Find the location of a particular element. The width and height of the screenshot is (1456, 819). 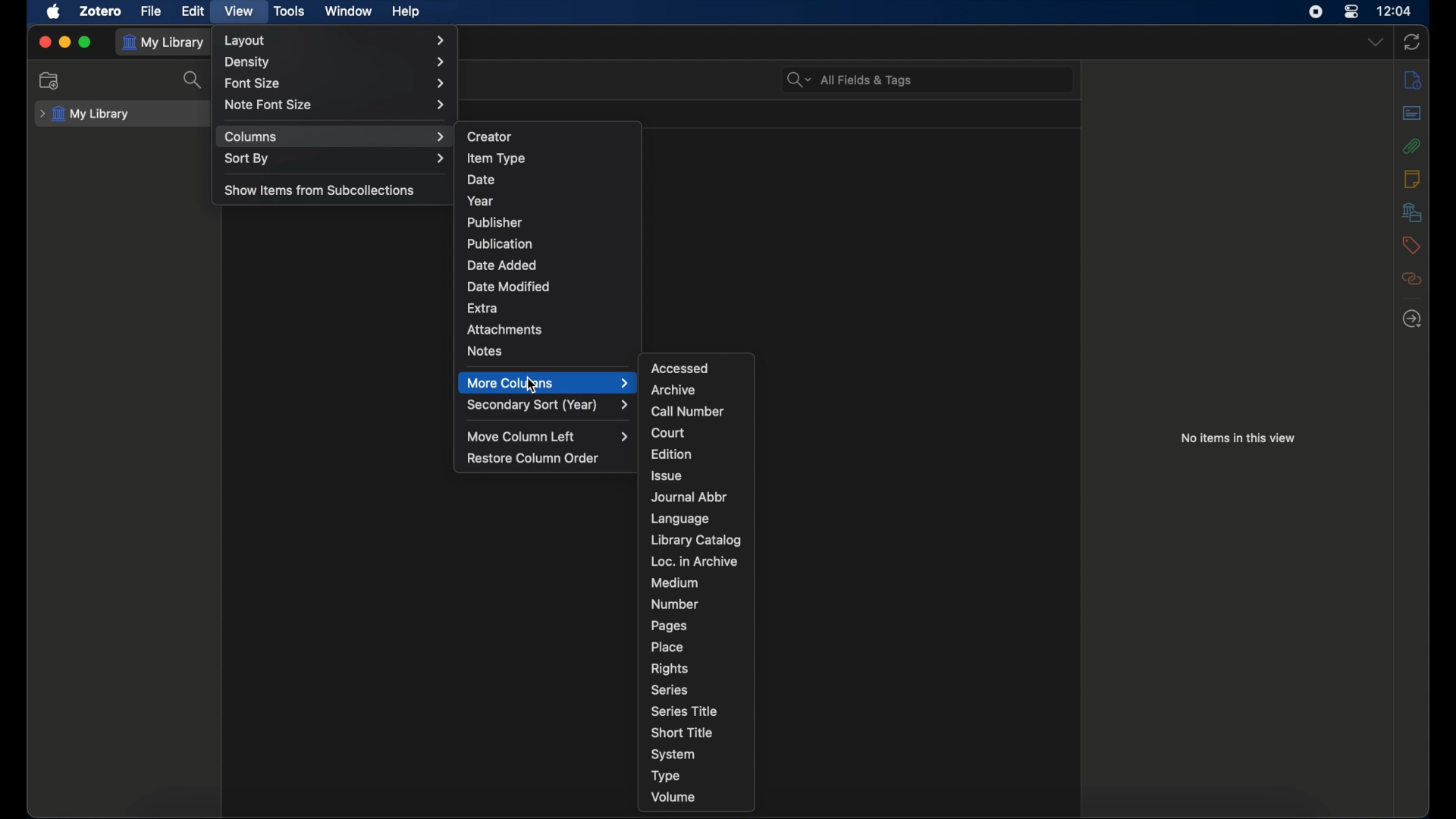

move column left is located at coordinates (546, 436).